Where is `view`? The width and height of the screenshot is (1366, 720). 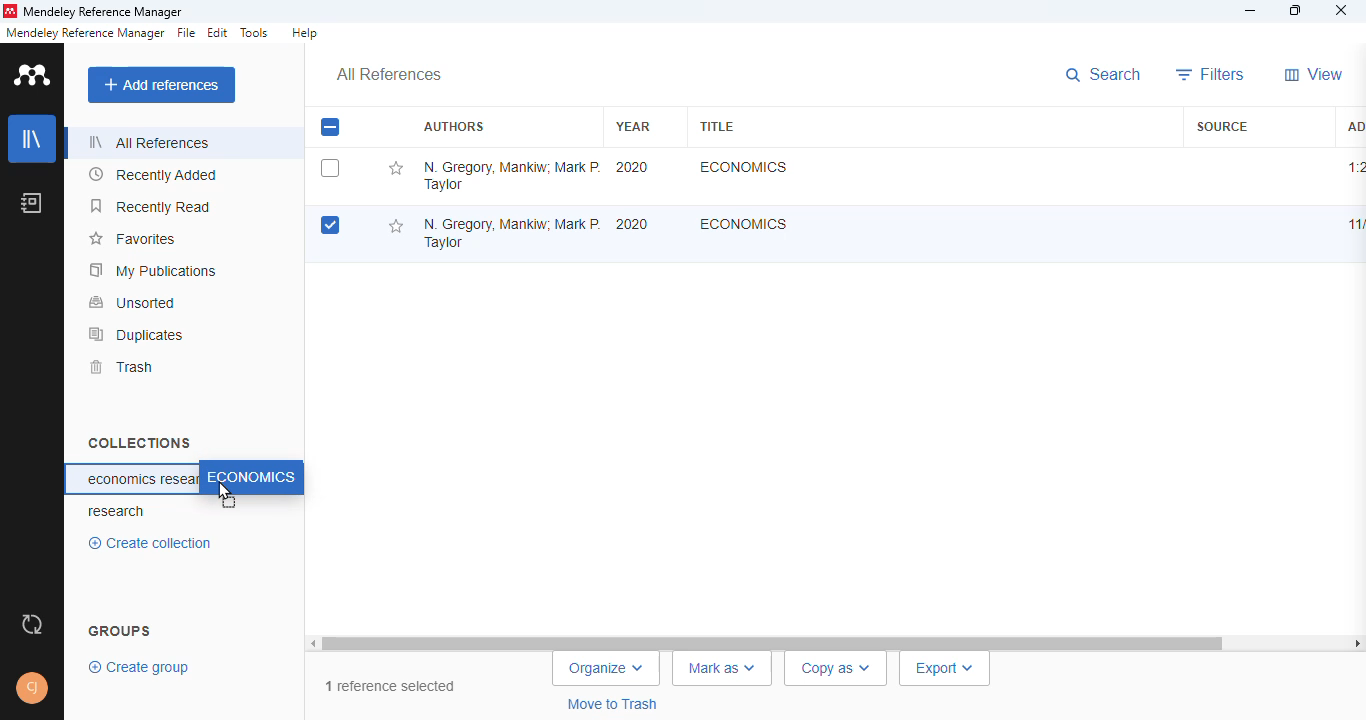 view is located at coordinates (1314, 74).